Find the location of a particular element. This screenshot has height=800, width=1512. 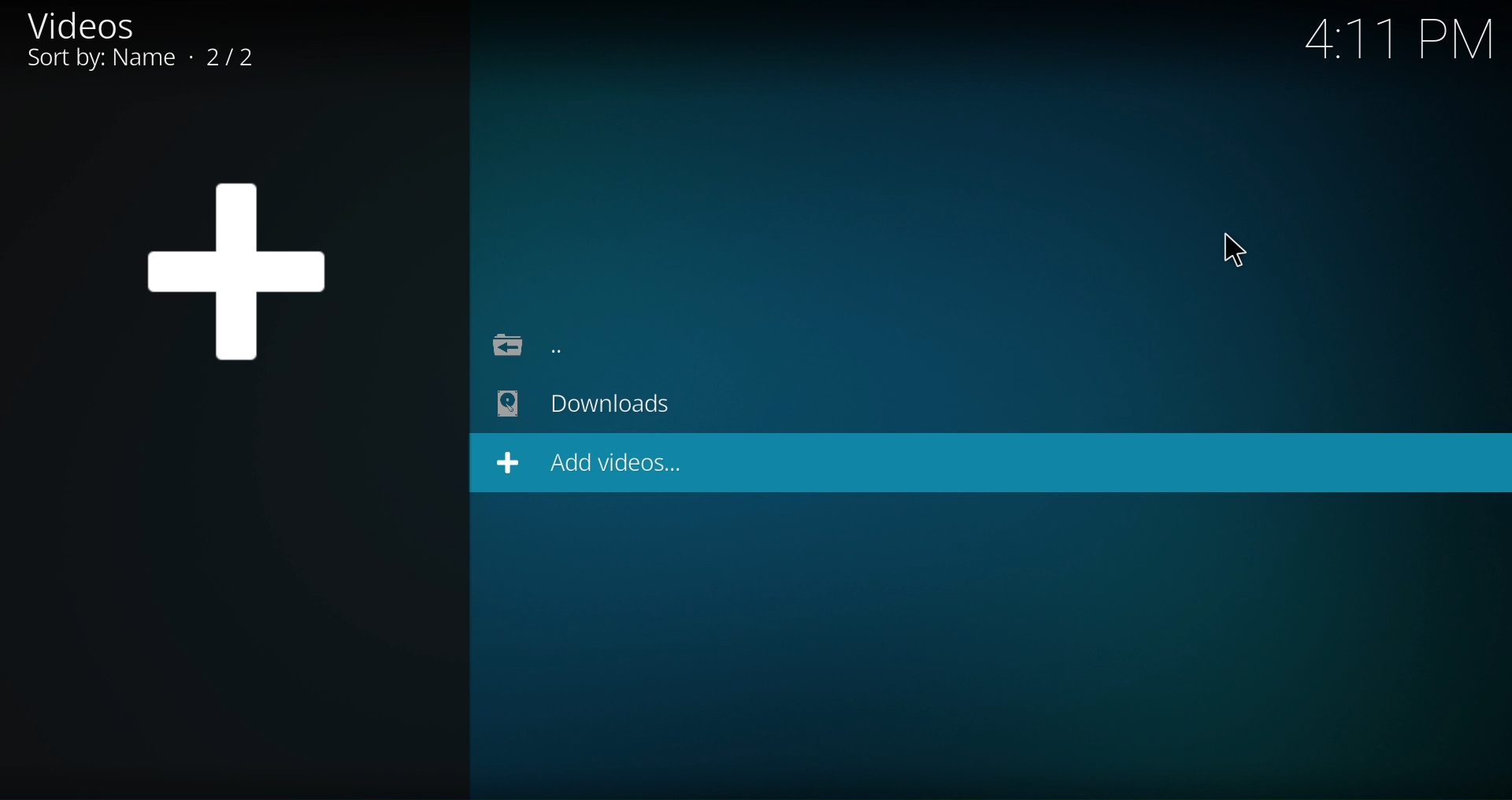

Pointer  Cursor is located at coordinates (1237, 249).